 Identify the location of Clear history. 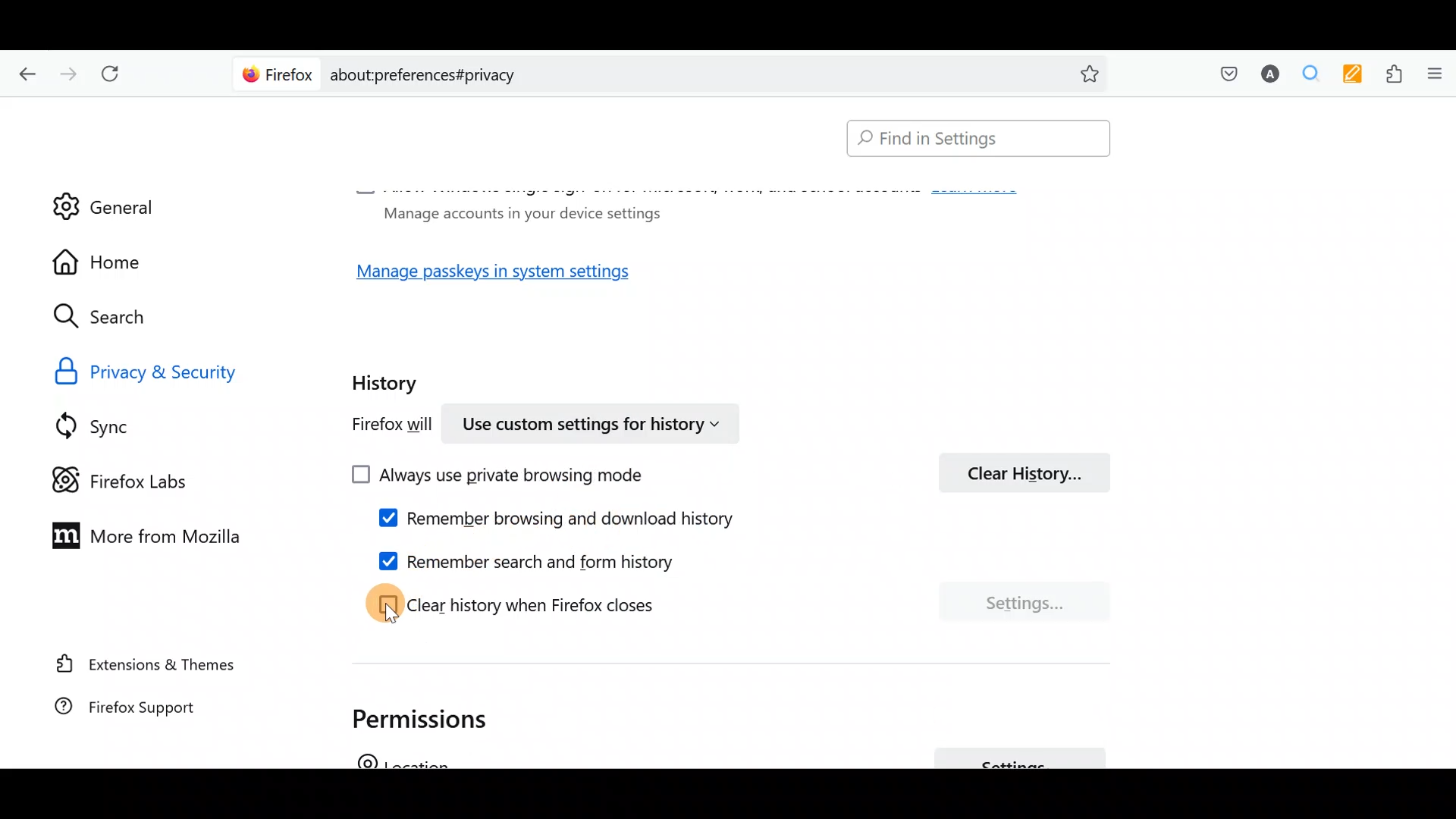
(1031, 471).